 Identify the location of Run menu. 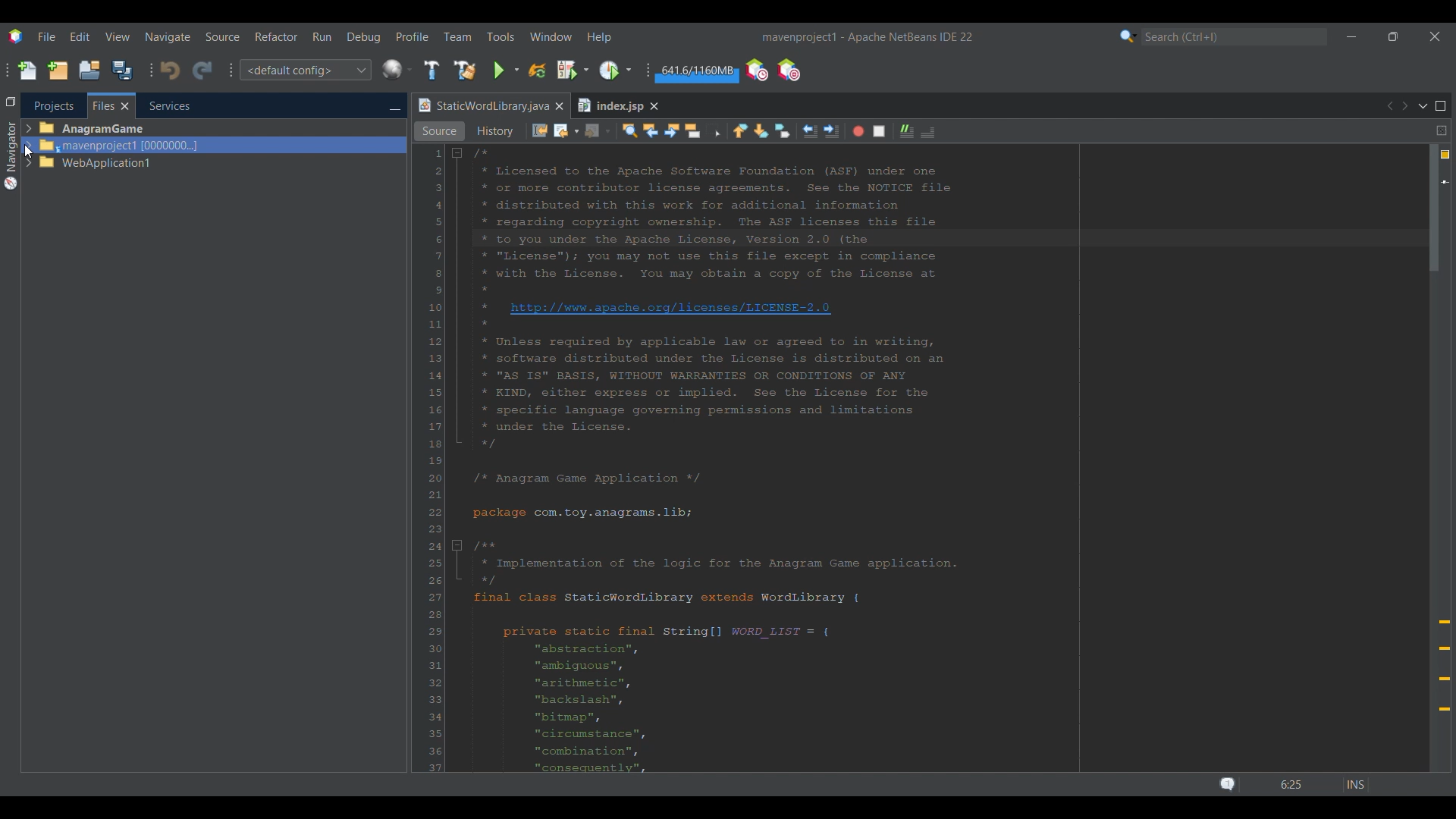
(322, 36).